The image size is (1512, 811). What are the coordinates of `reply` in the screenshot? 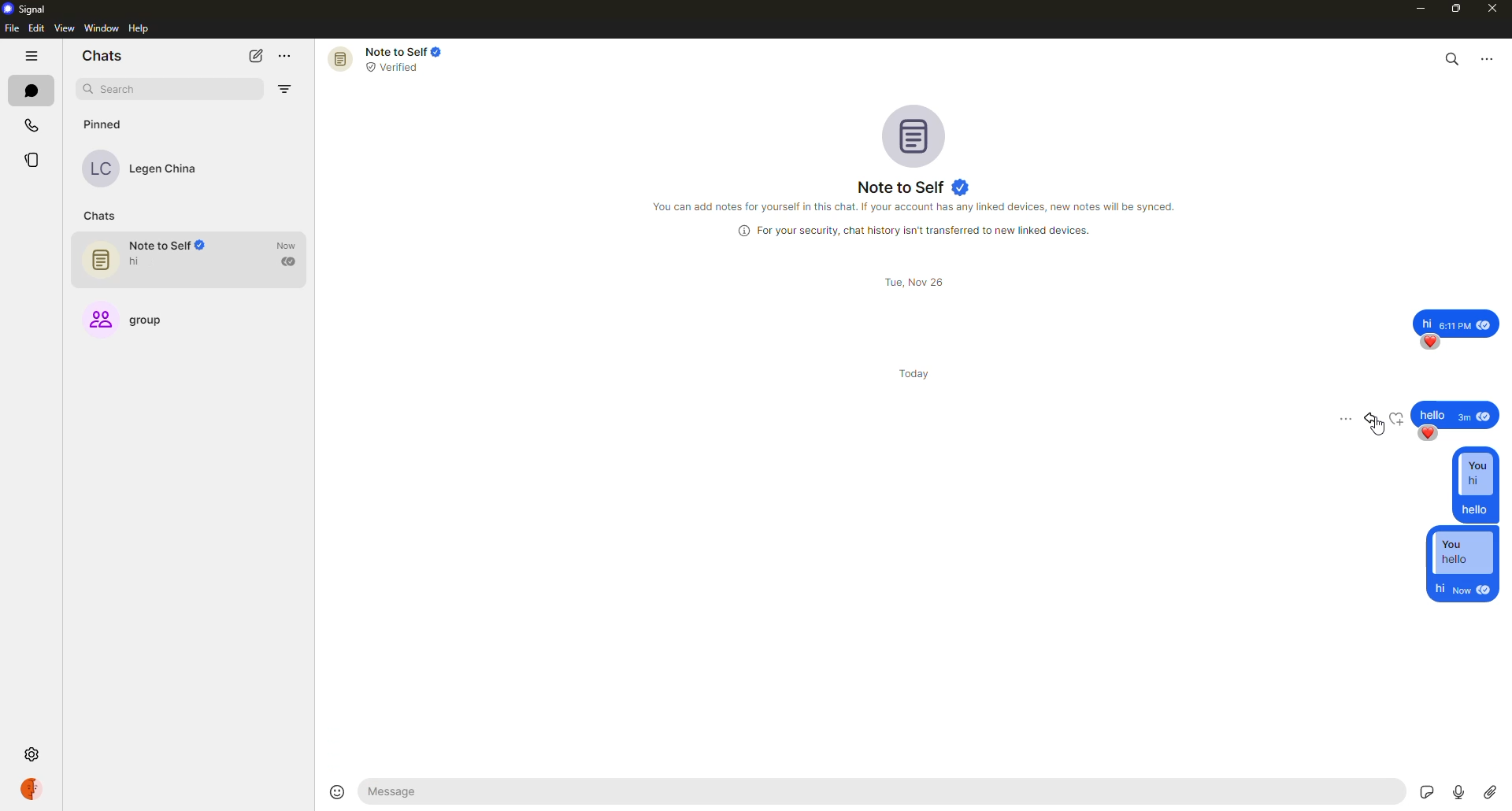 It's located at (1453, 484).